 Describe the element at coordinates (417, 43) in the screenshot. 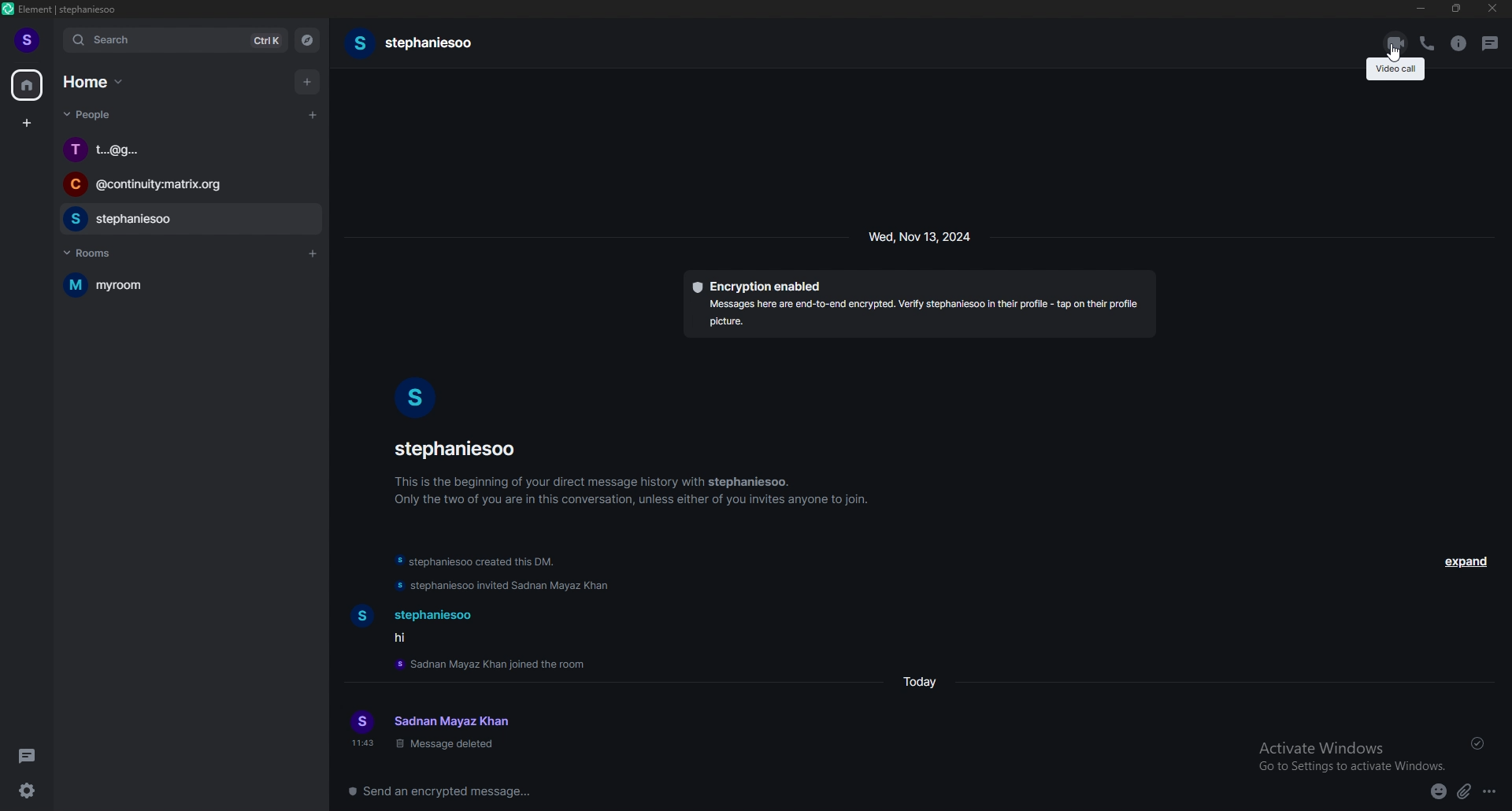

I see `usernamename` at that location.